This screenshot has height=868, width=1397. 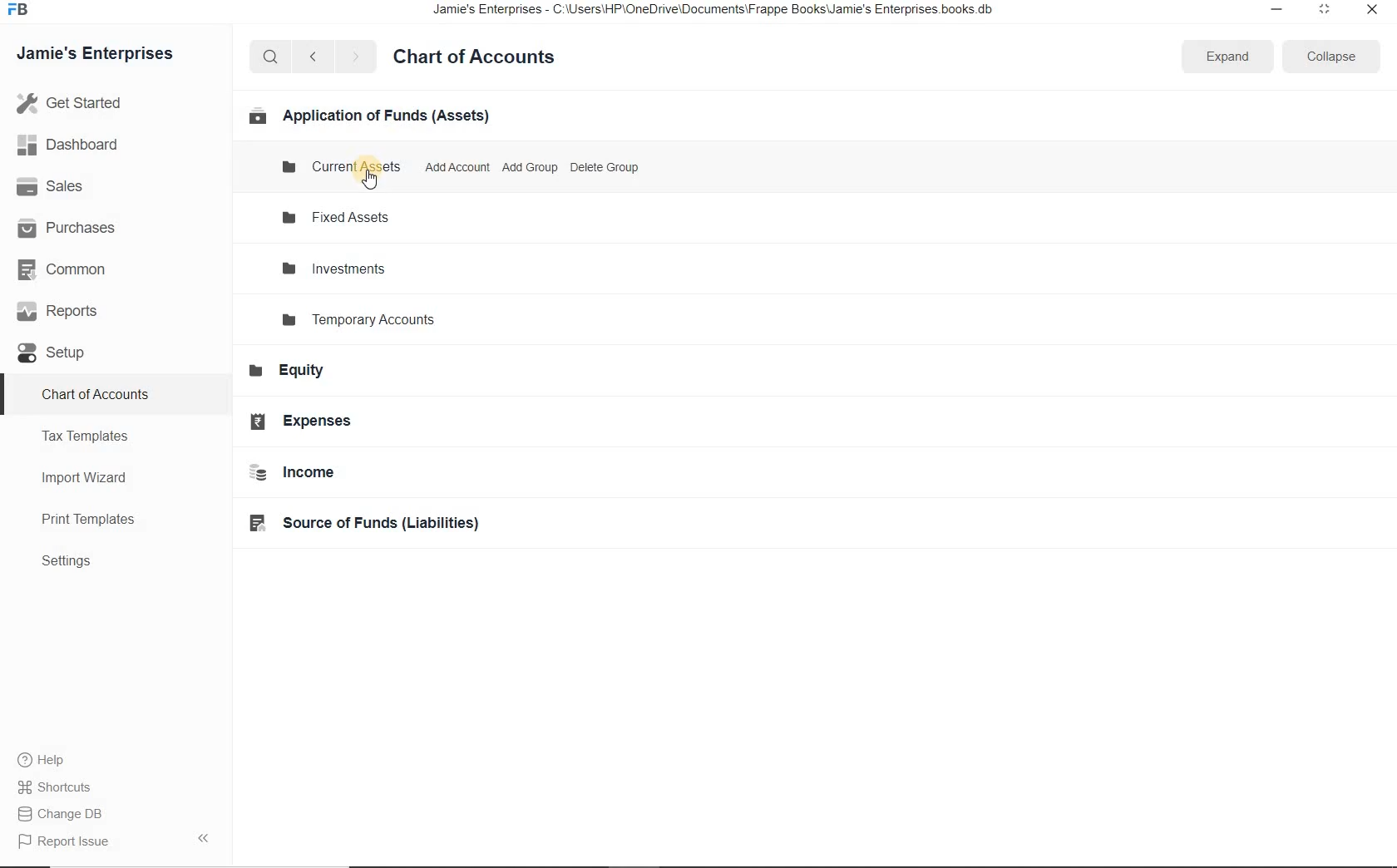 What do you see at coordinates (98, 393) in the screenshot?
I see `Chart of Accounts` at bounding box center [98, 393].